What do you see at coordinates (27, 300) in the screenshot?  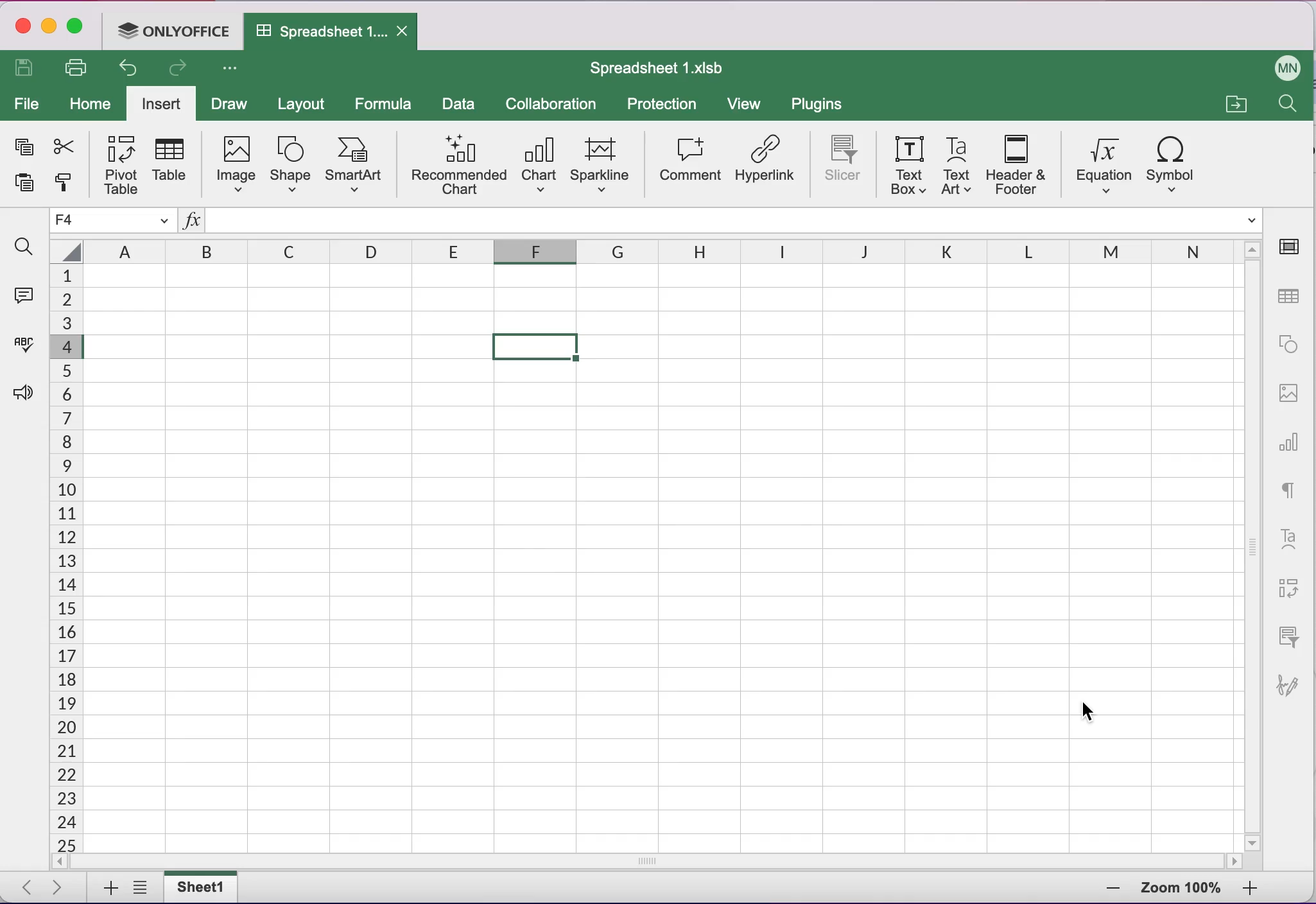 I see `comments` at bounding box center [27, 300].